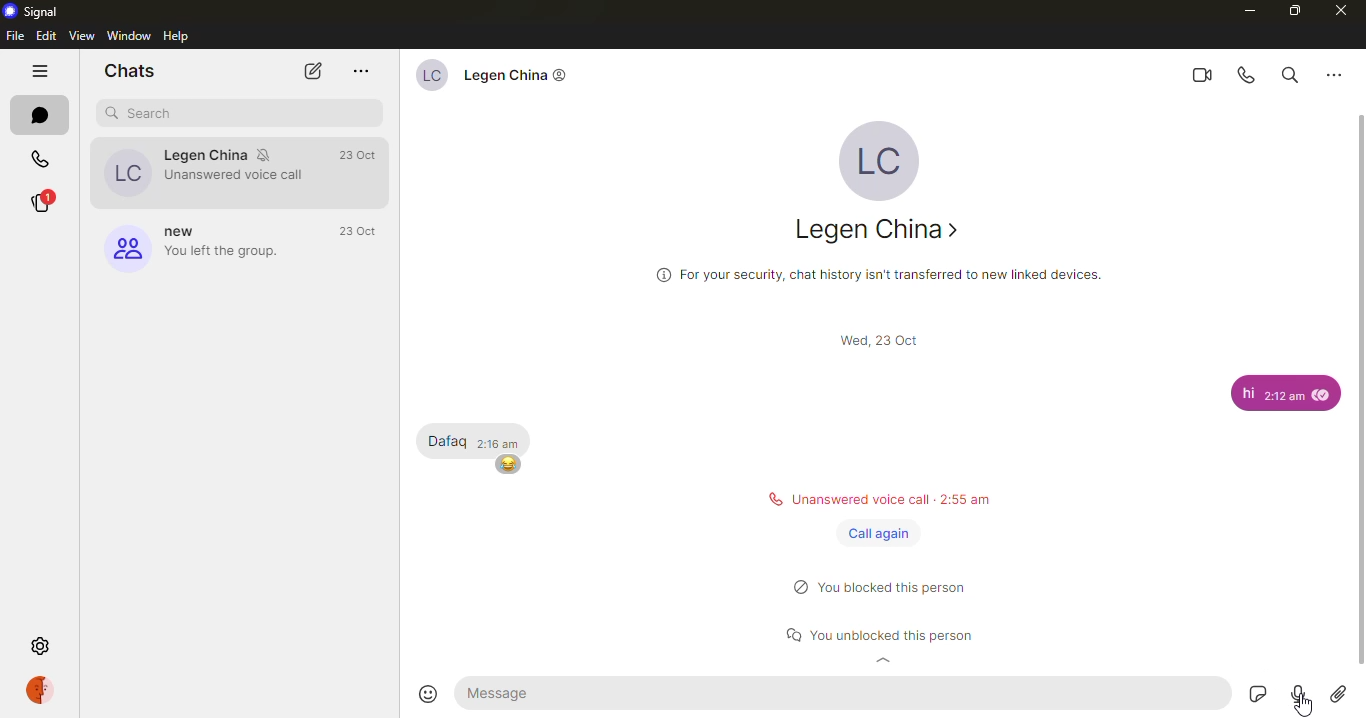 This screenshot has height=718, width=1366. Describe the element at coordinates (1288, 72) in the screenshot. I see `search` at that location.